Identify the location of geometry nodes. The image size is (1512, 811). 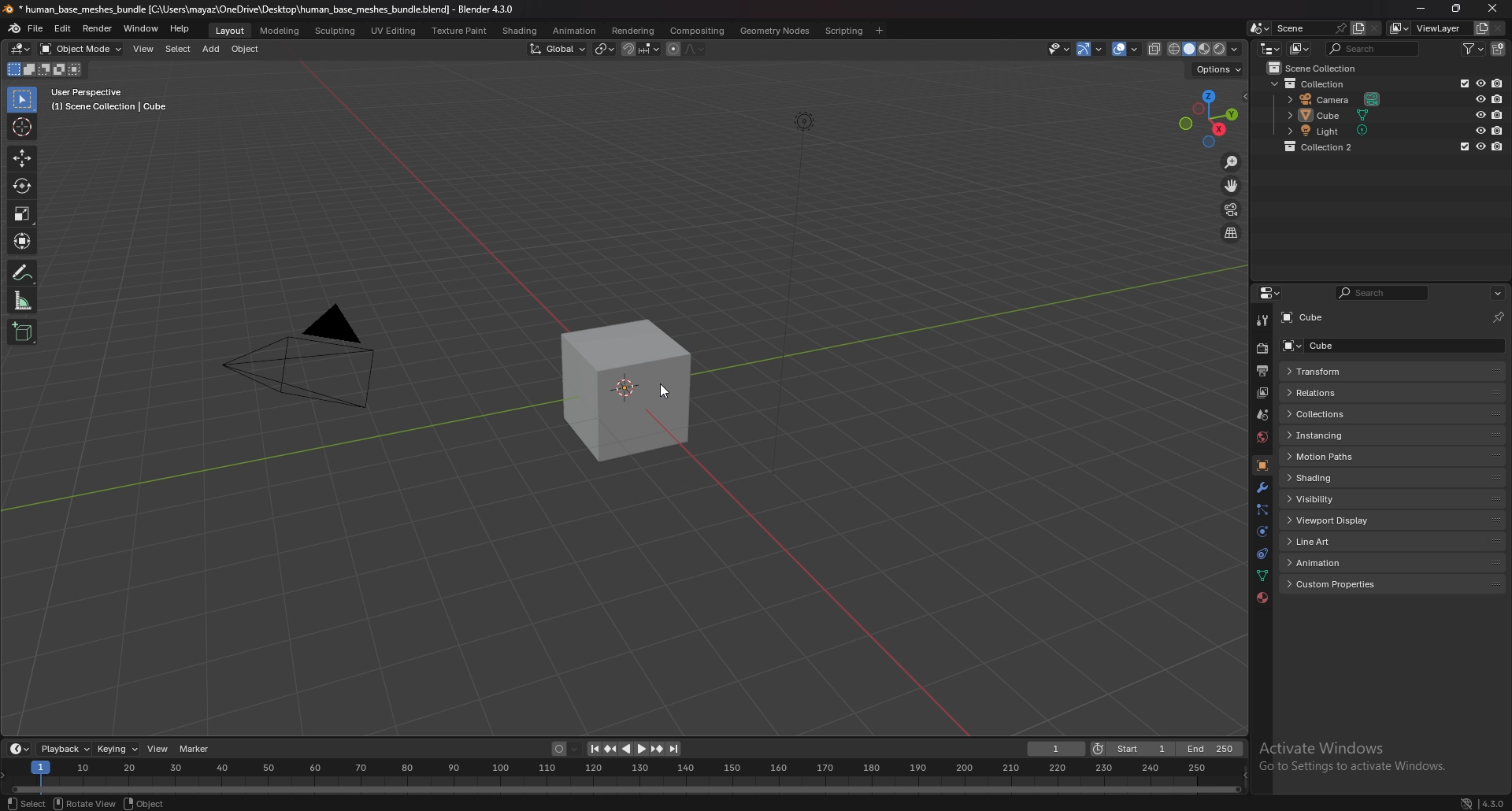
(774, 31).